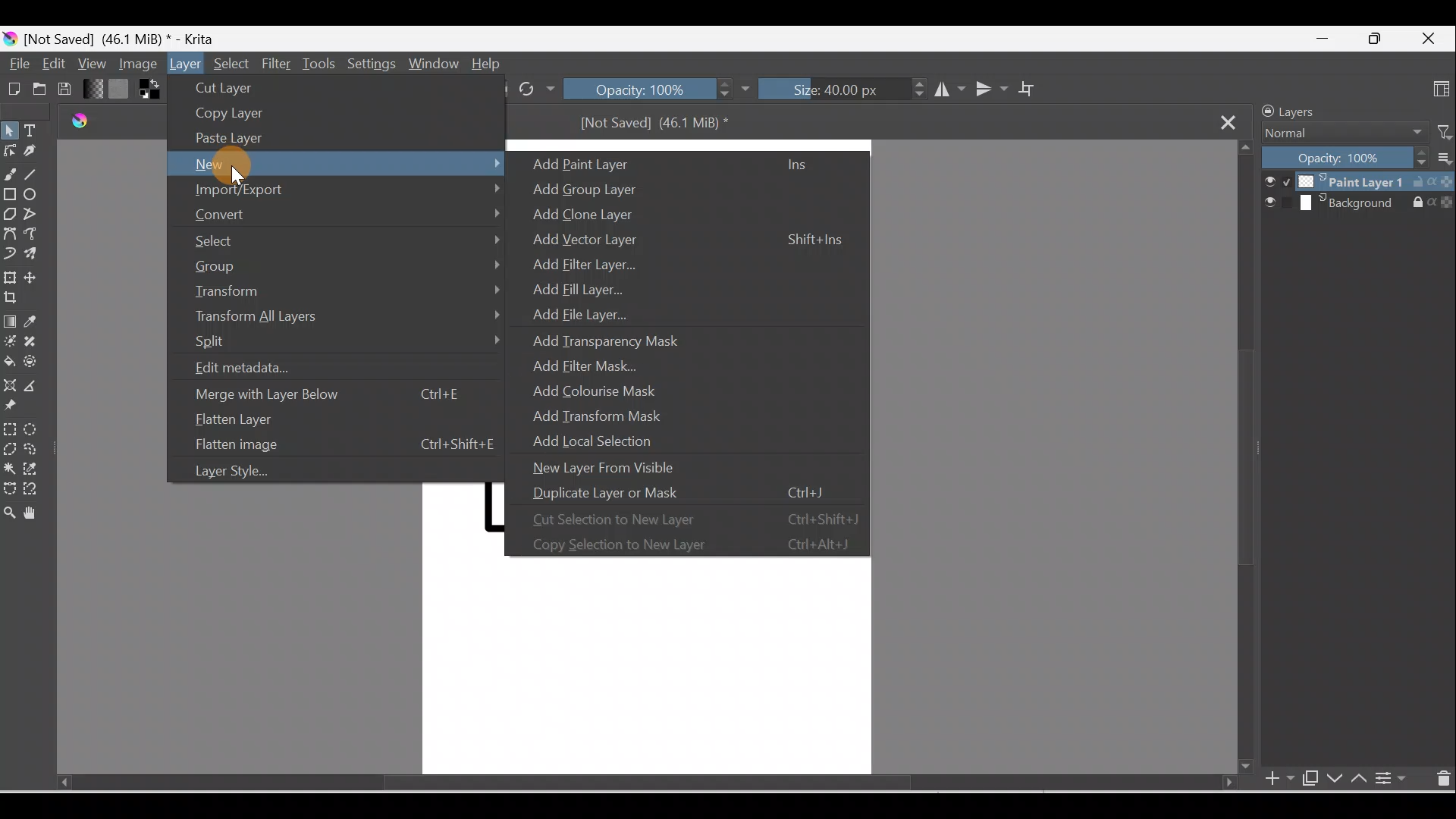  Describe the element at coordinates (340, 444) in the screenshot. I see `Flatten image  Ctrl+Shift+E` at that location.